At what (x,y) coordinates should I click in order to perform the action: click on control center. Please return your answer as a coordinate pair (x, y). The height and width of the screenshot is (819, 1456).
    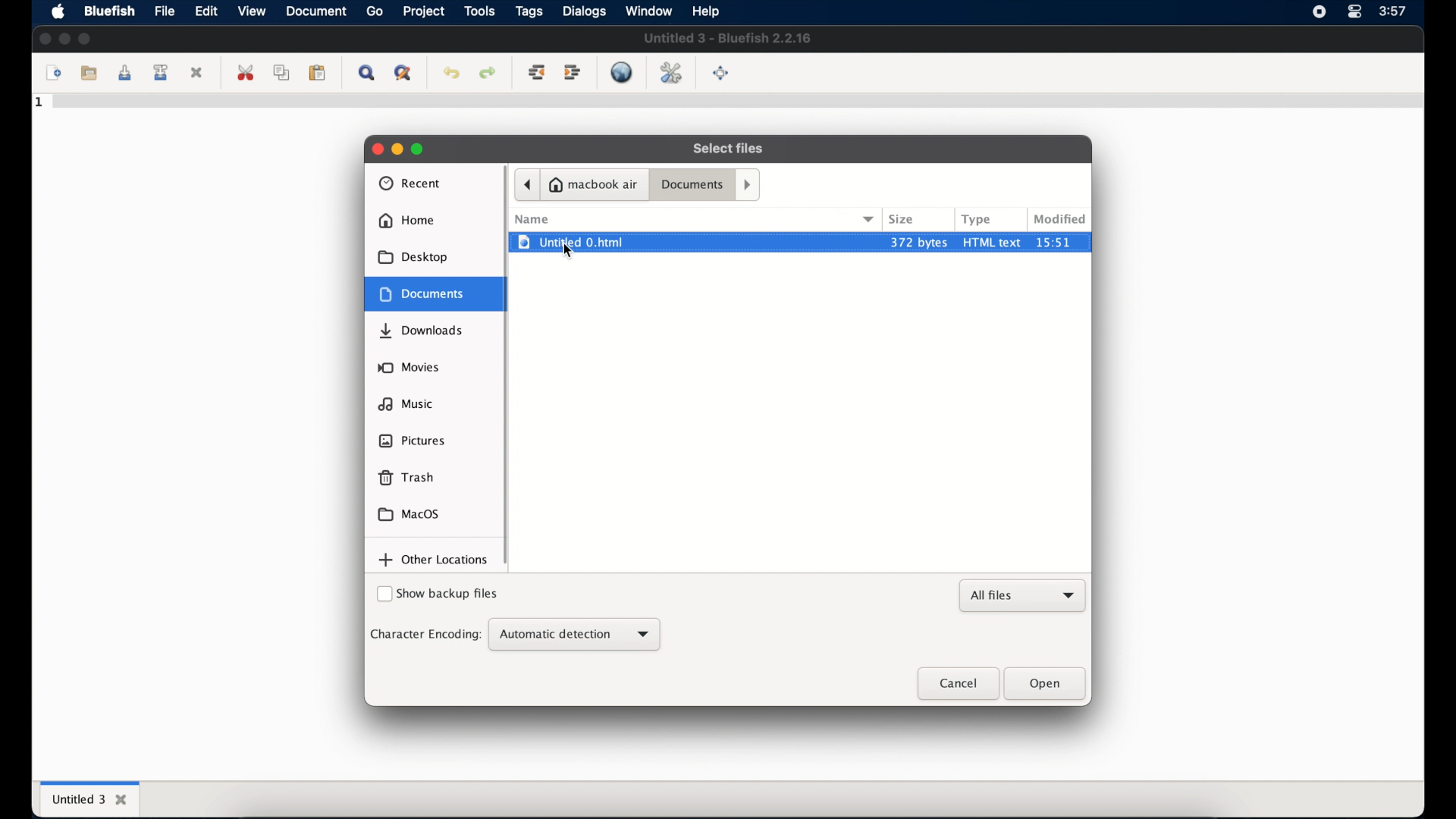
    Looking at the image, I should click on (1354, 12).